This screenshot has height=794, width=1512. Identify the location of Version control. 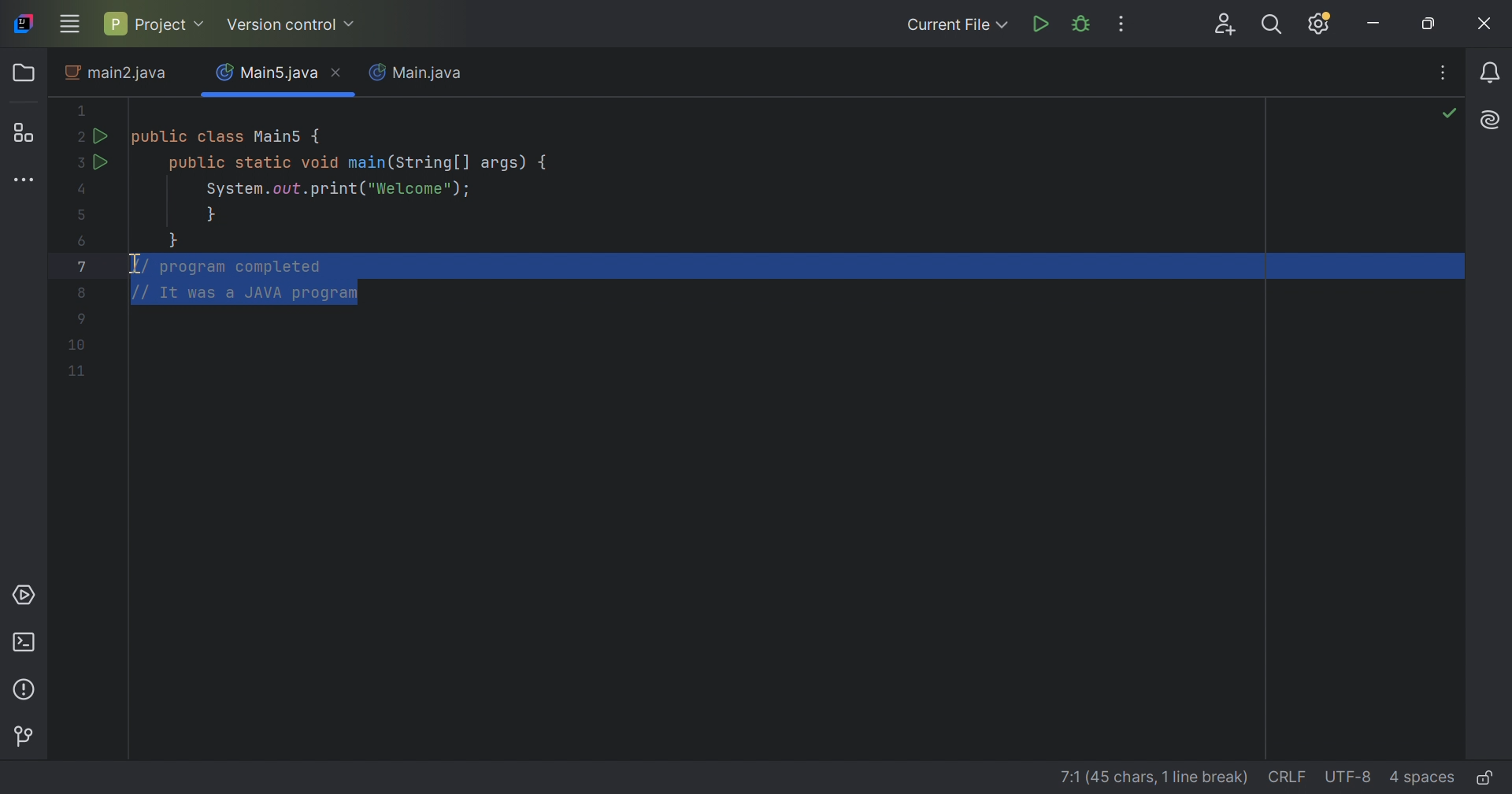
(24, 734).